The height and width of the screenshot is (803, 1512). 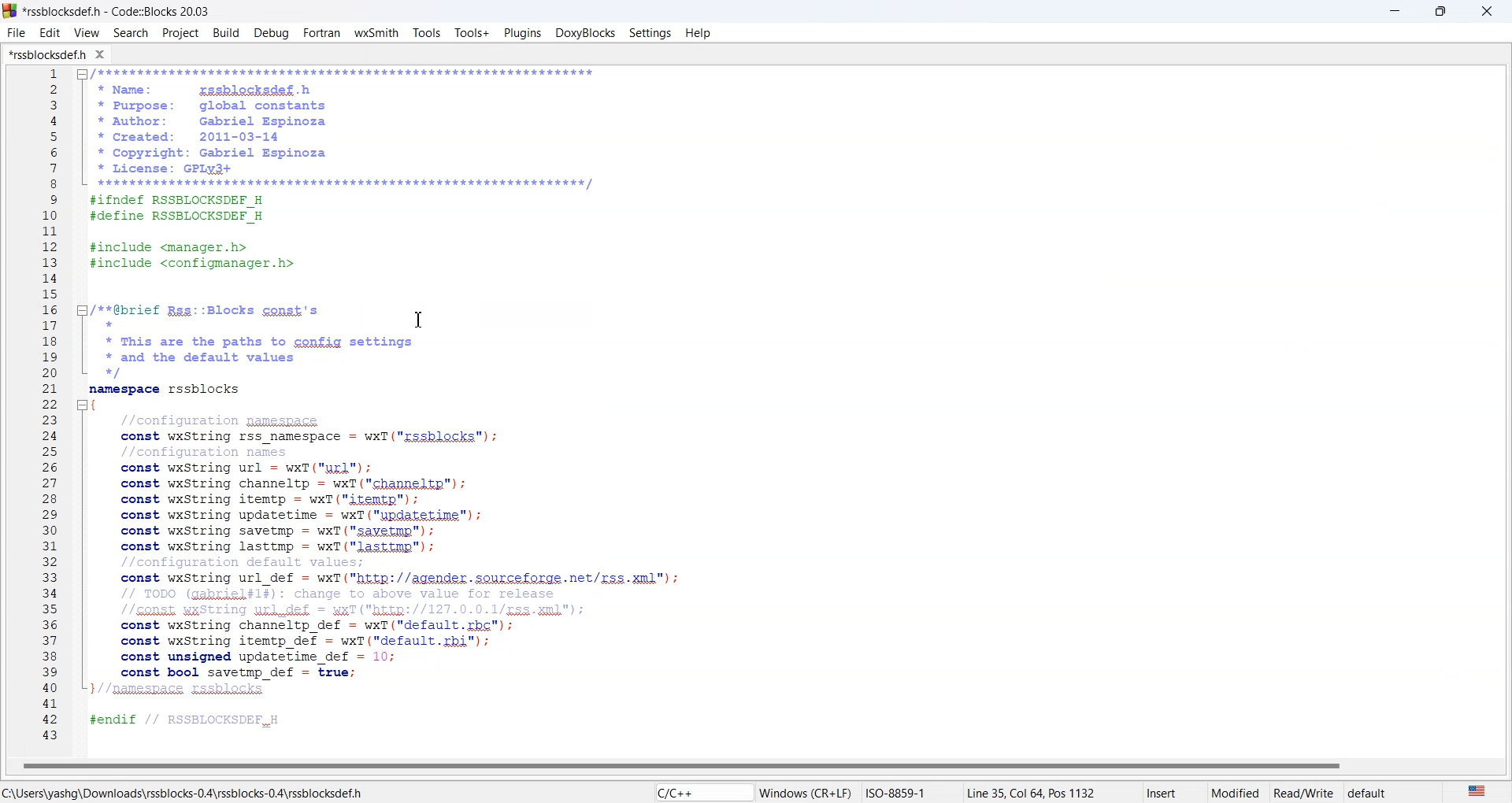 I want to click on Search, so click(x=131, y=34).